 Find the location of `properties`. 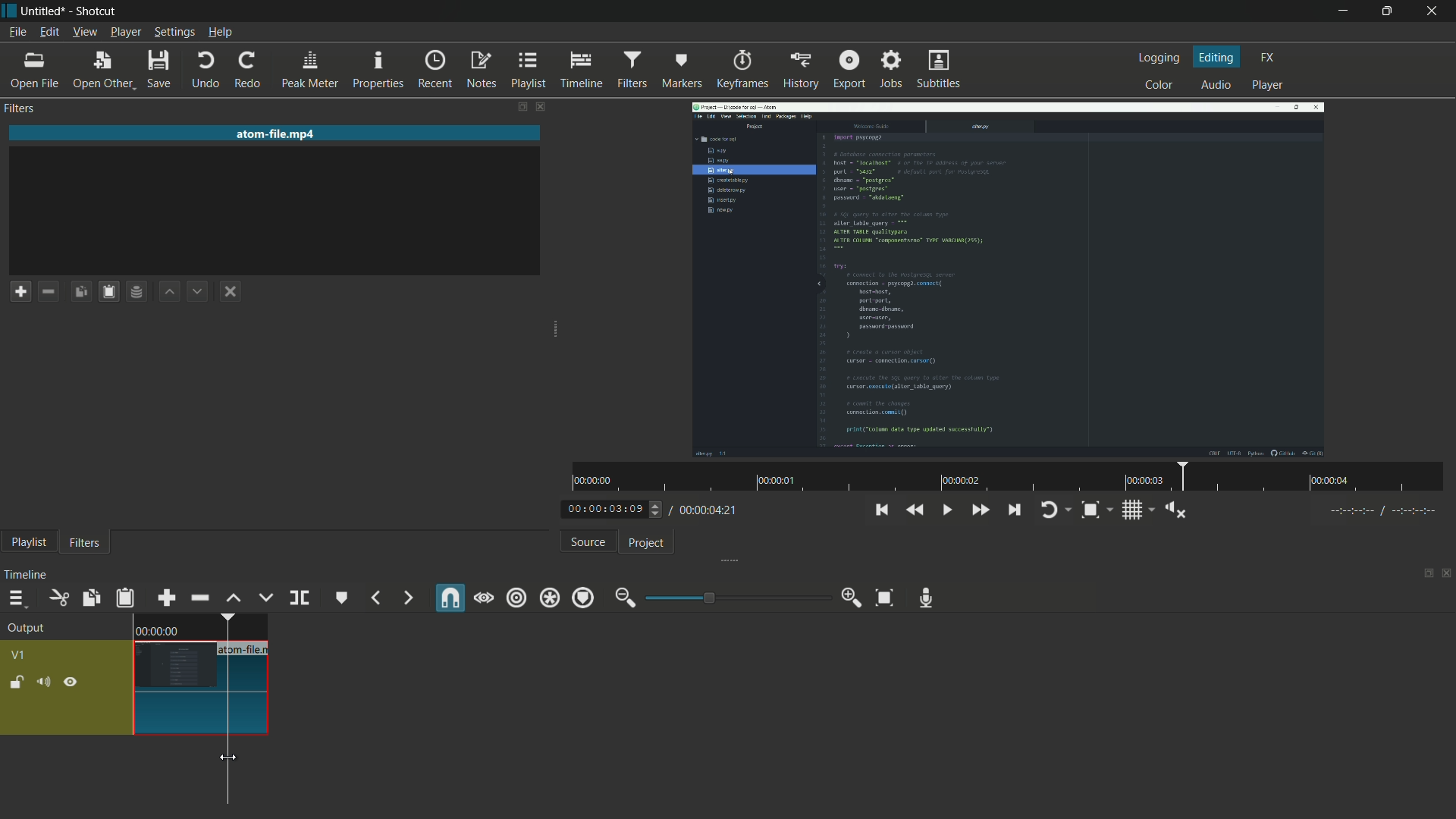

properties is located at coordinates (378, 69).